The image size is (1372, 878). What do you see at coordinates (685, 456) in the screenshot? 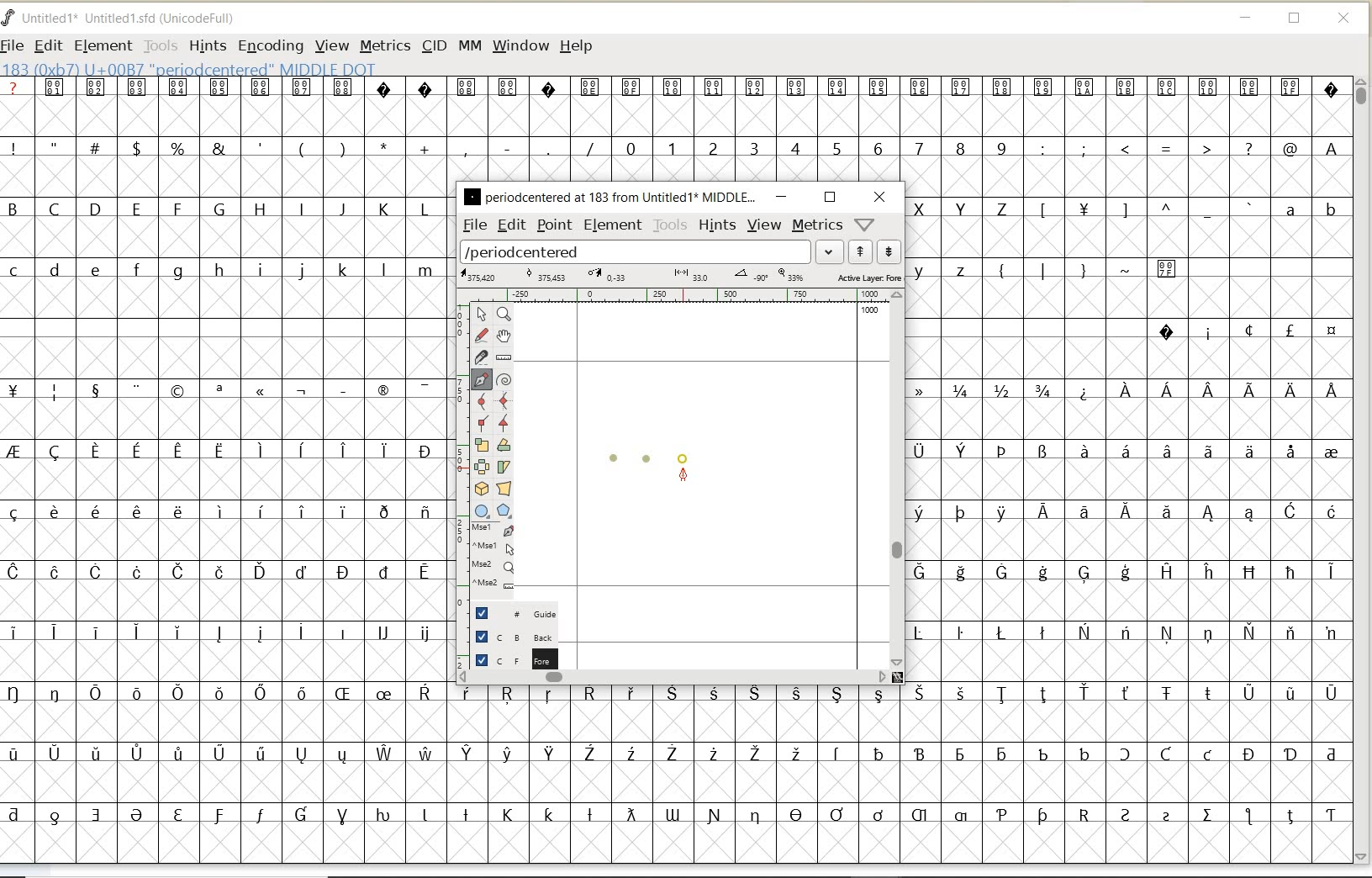
I see `dot` at bounding box center [685, 456].